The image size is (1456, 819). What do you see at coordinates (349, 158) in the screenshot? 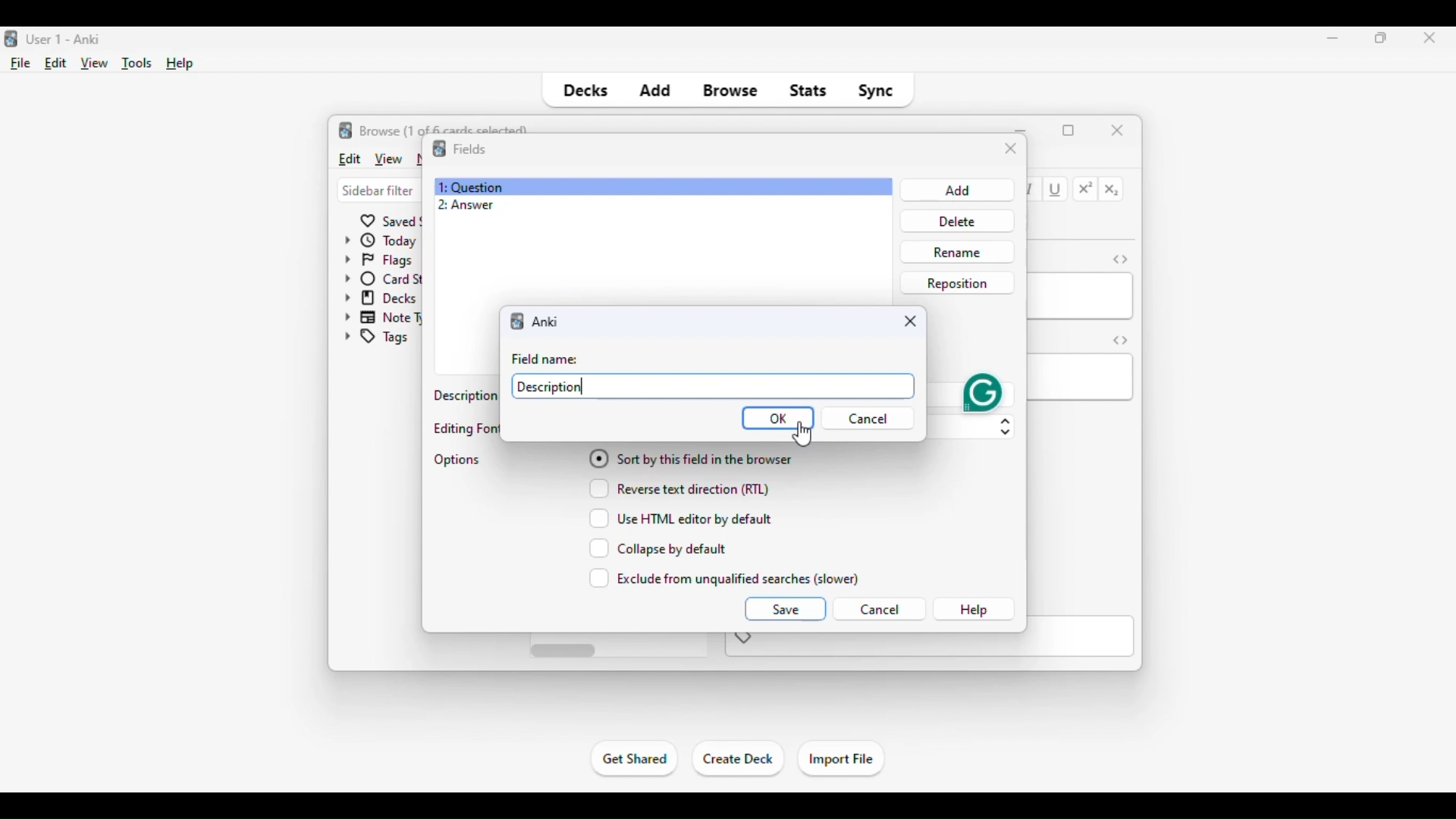
I see `edit` at bounding box center [349, 158].